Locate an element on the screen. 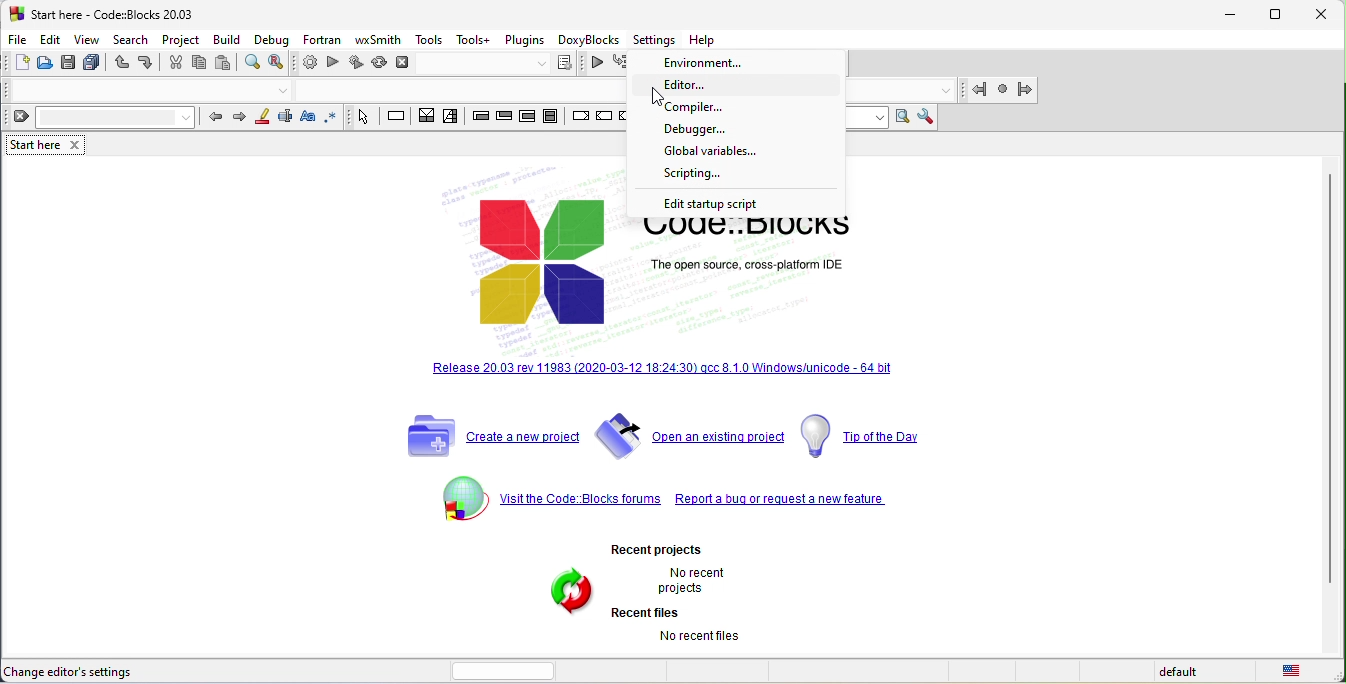 The image size is (1346, 684). file is located at coordinates (19, 41).